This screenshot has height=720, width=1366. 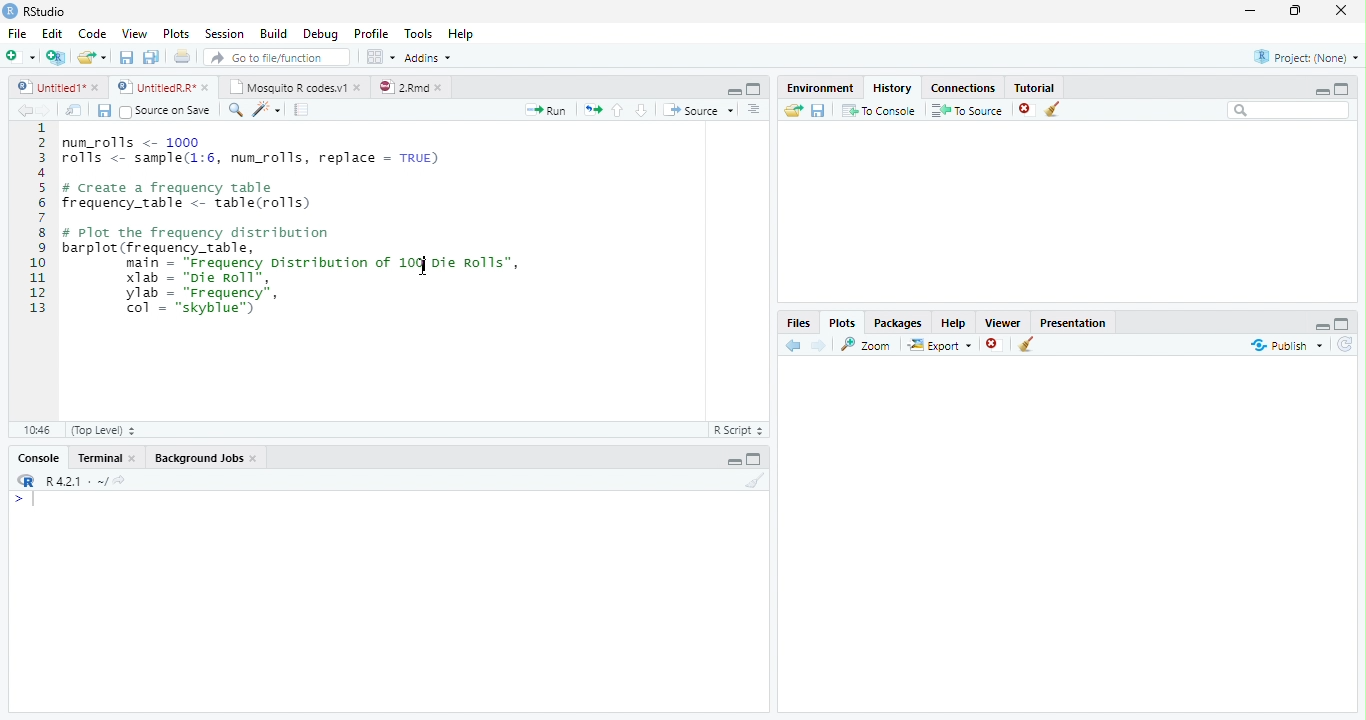 I want to click on Source on Save, so click(x=165, y=111).